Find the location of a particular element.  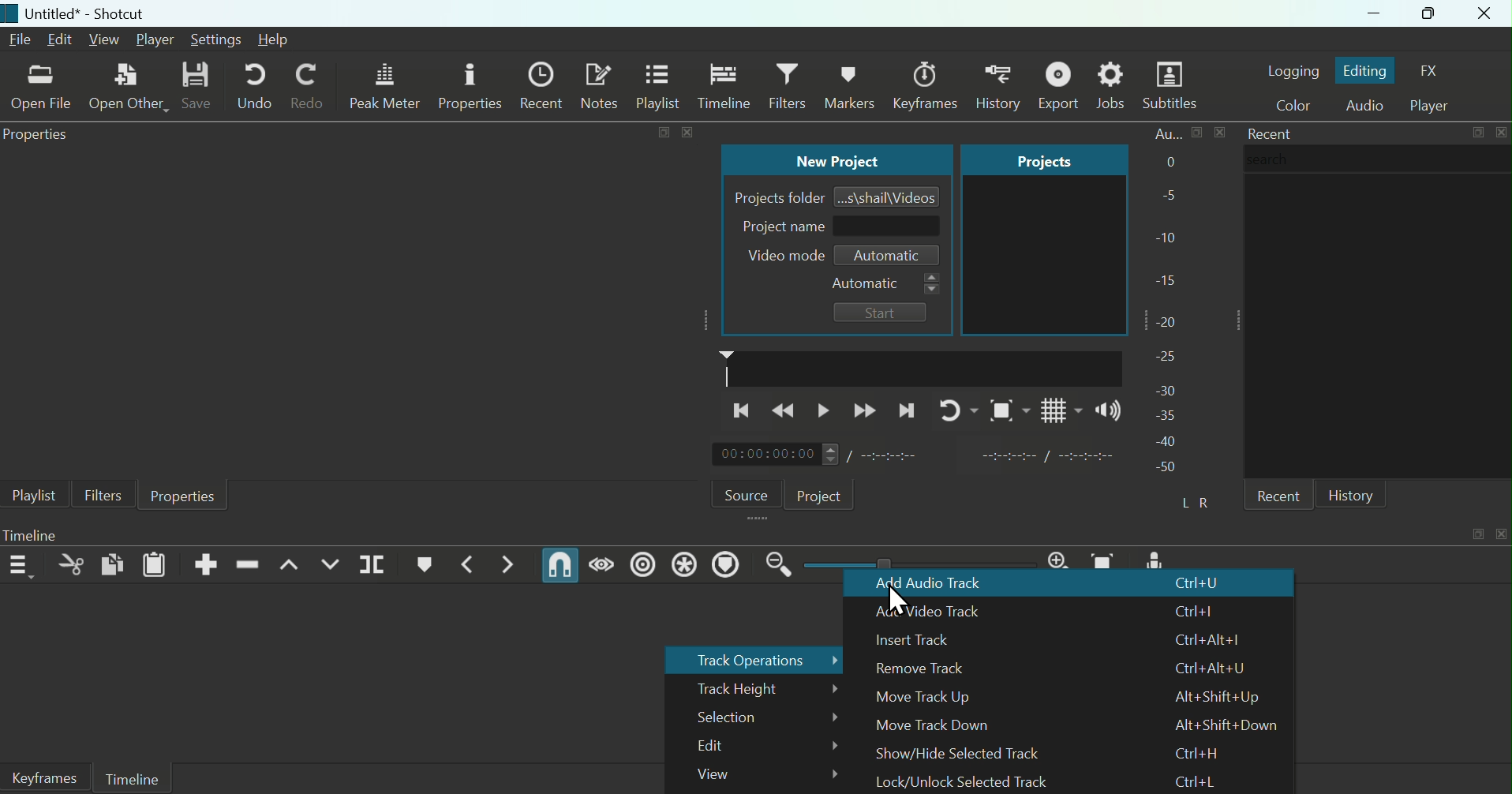

Zoom Timeline out is located at coordinates (779, 569).